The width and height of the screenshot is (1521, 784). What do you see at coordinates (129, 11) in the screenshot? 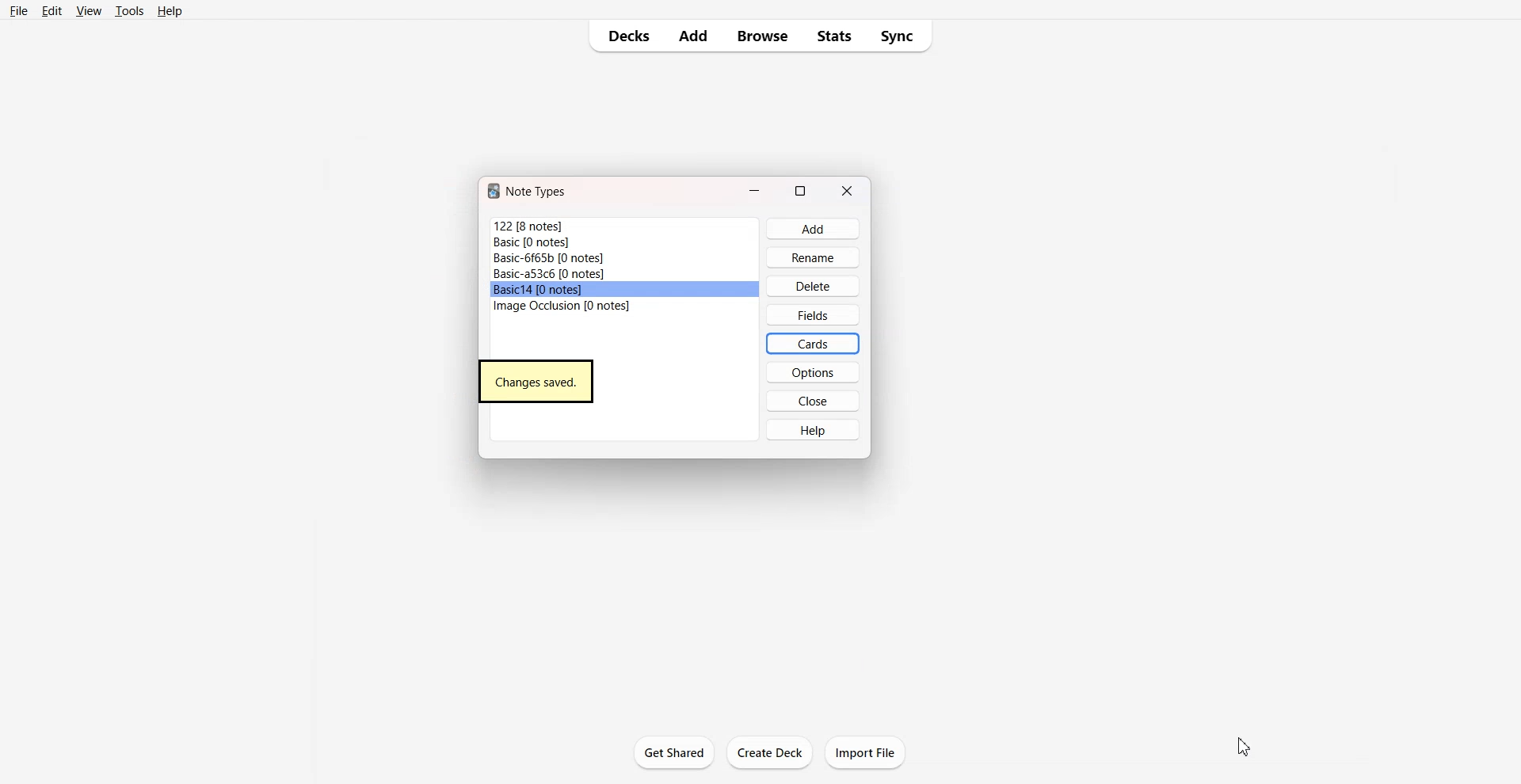
I see `Tools` at bounding box center [129, 11].